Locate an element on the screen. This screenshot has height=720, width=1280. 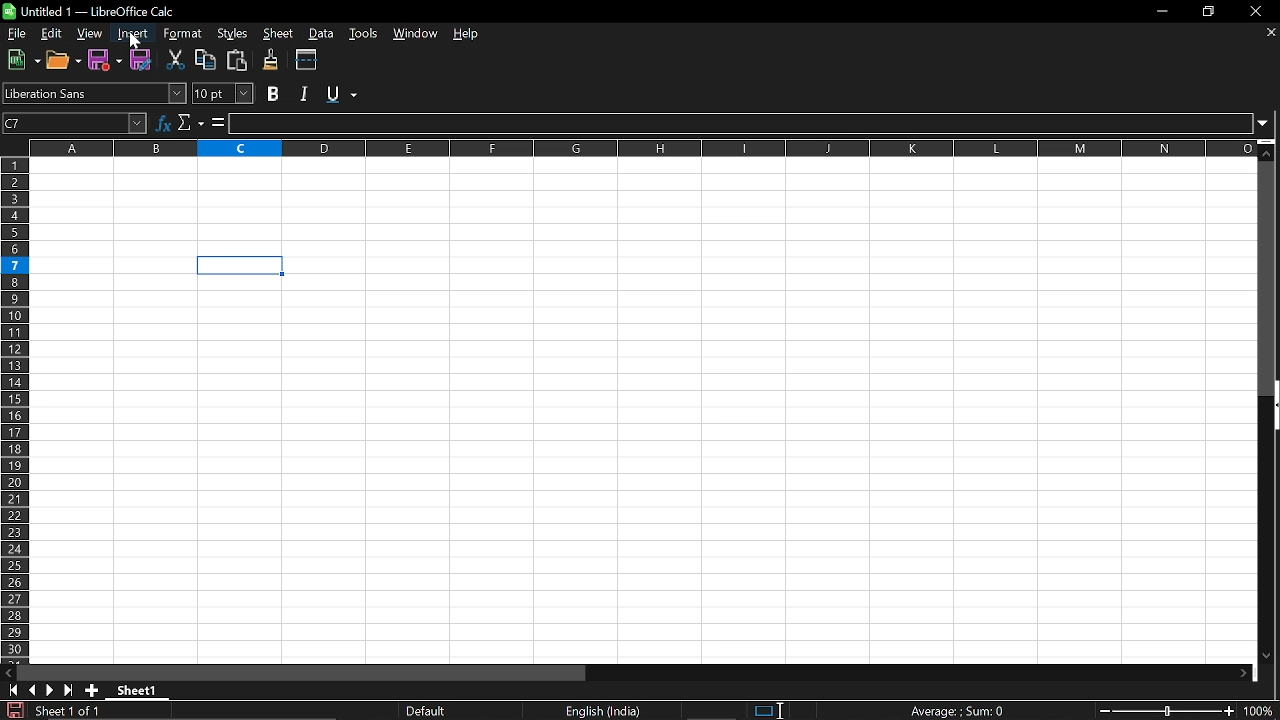
File is located at coordinates (16, 33).